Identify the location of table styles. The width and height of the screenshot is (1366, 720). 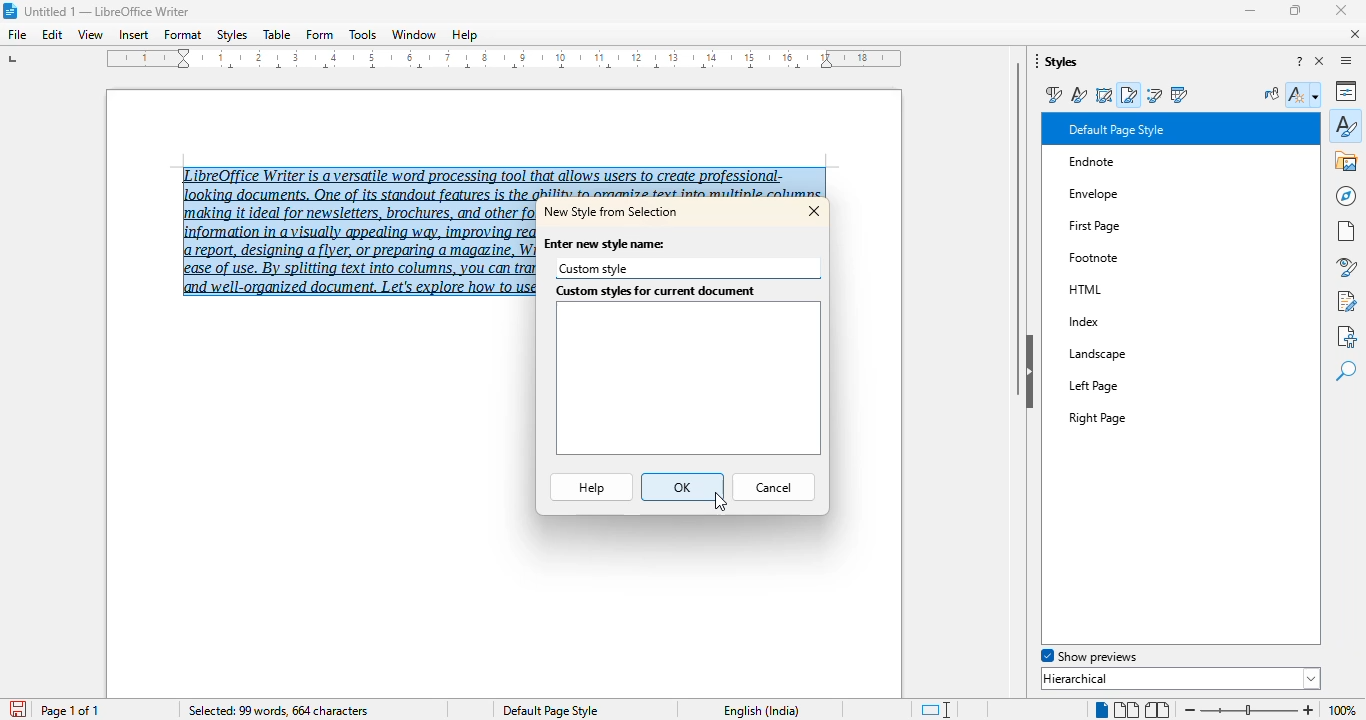
(1178, 94).